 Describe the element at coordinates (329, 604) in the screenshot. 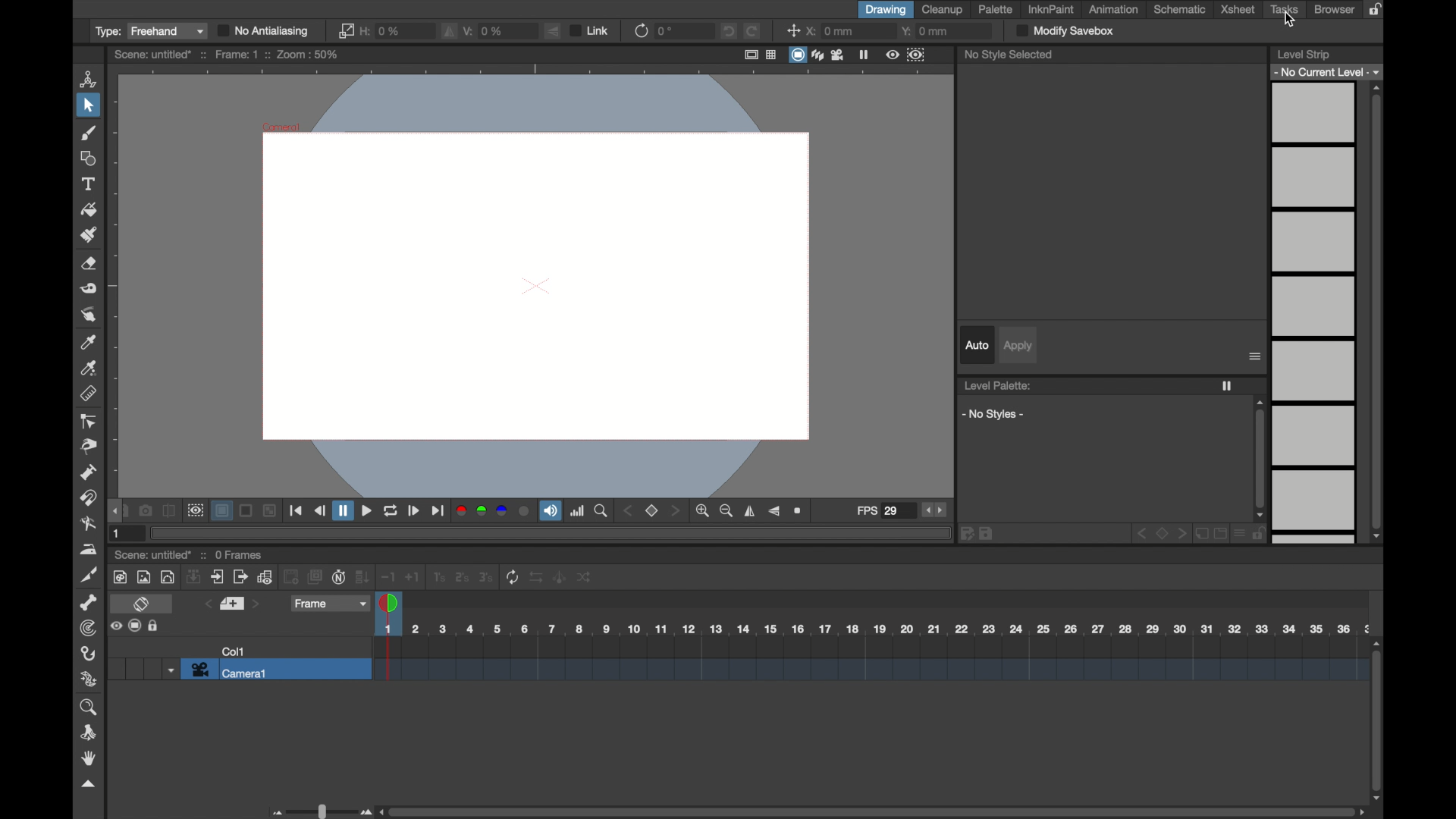

I see `frame` at that location.